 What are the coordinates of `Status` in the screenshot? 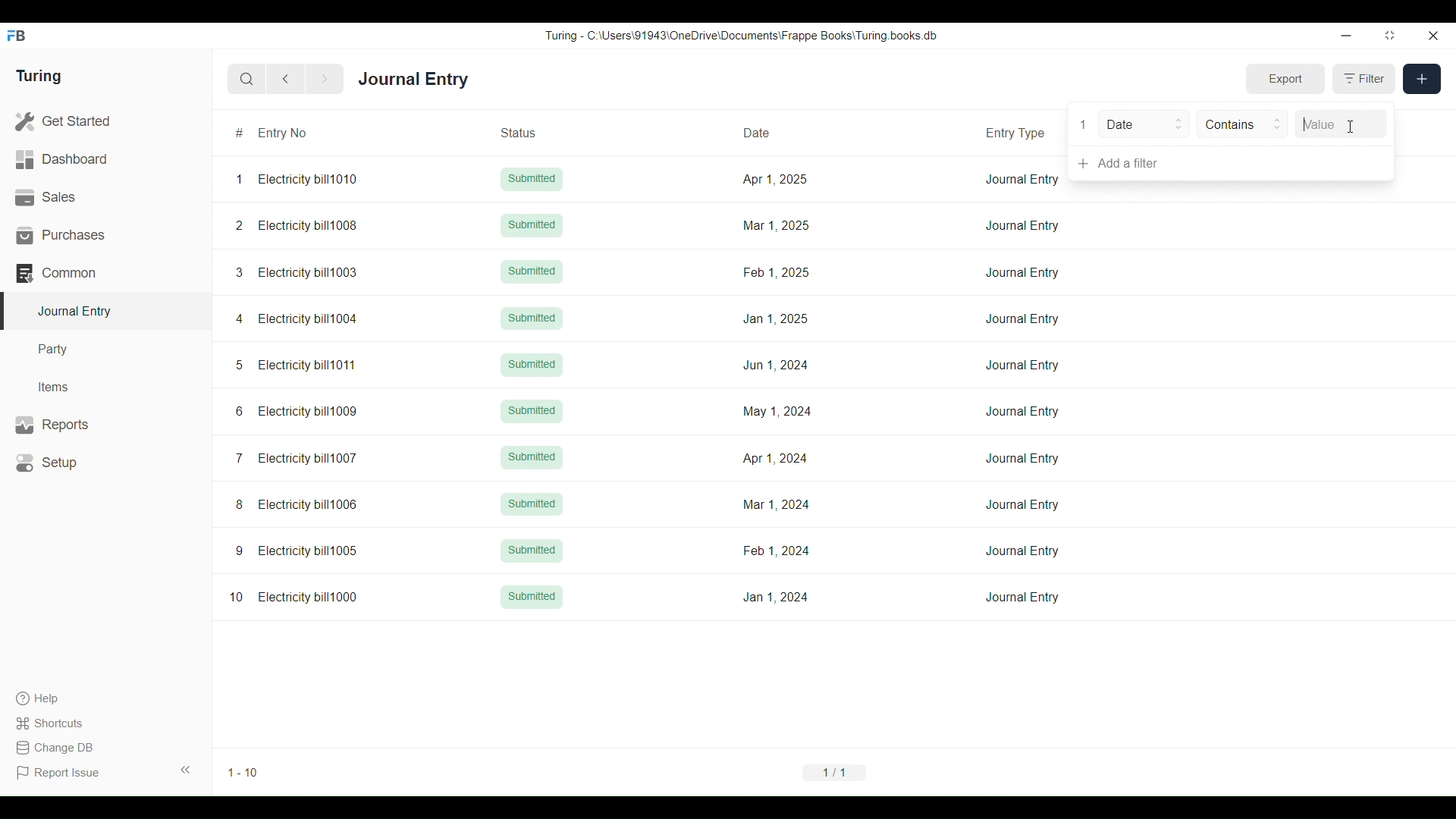 It's located at (536, 132).